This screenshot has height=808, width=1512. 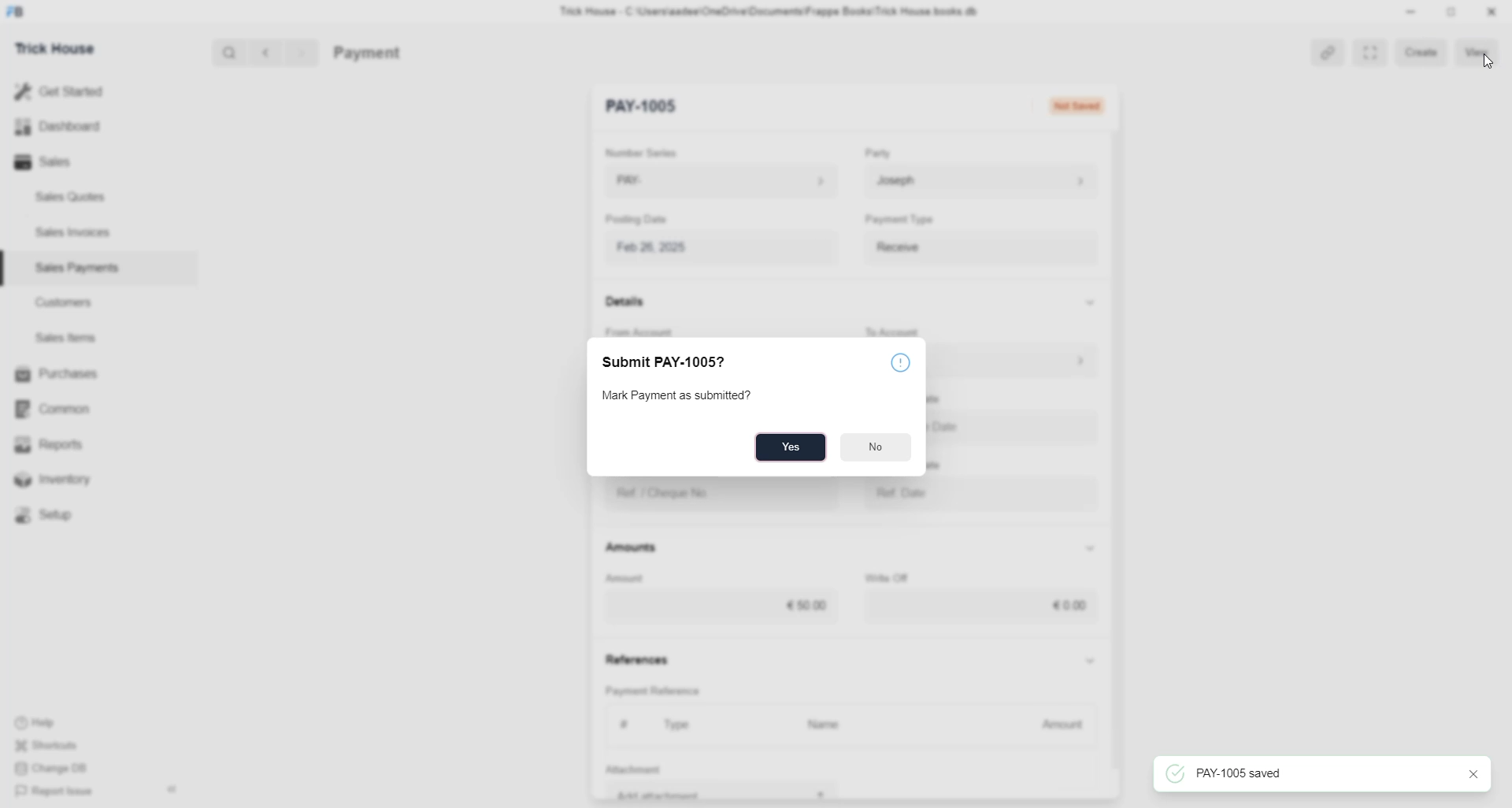 I want to click on Get Started, so click(x=60, y=92).